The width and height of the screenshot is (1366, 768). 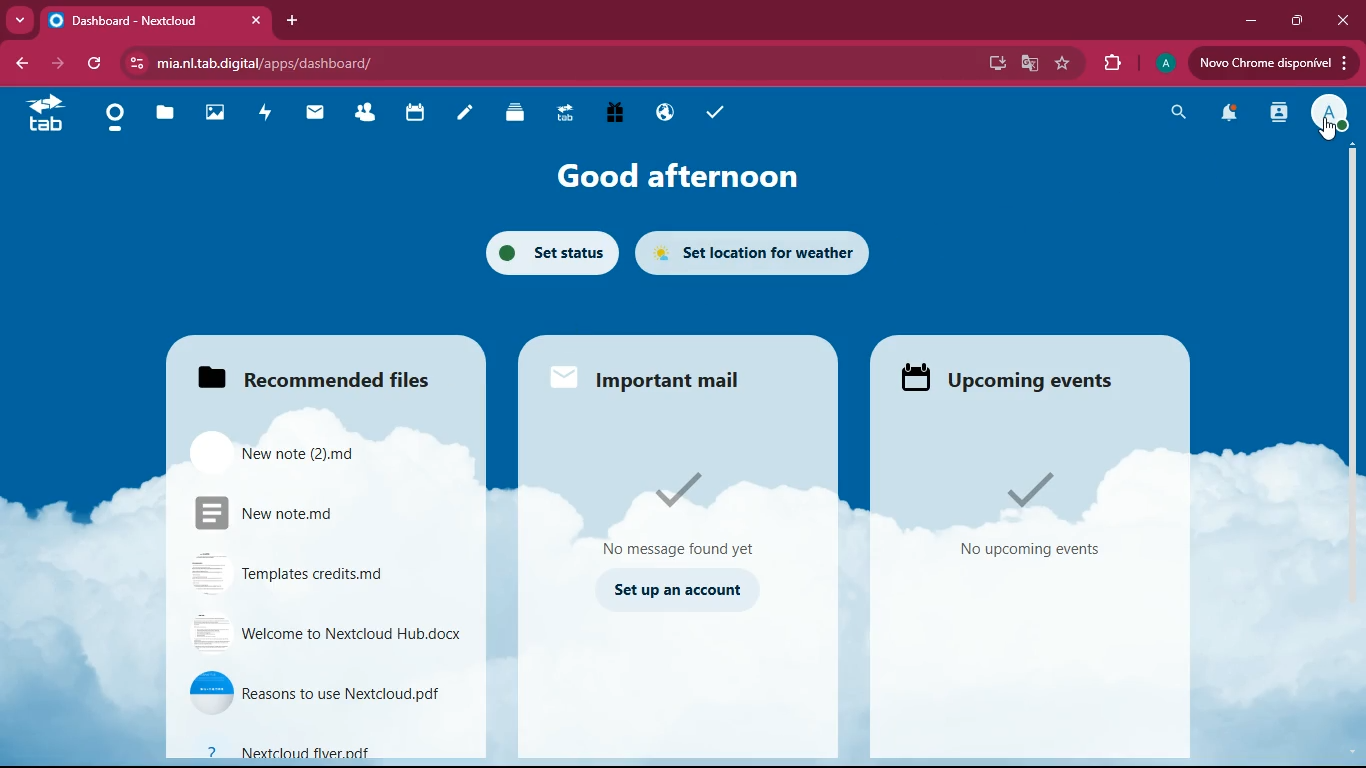 I want to click on public, so click(x=660, y=114).